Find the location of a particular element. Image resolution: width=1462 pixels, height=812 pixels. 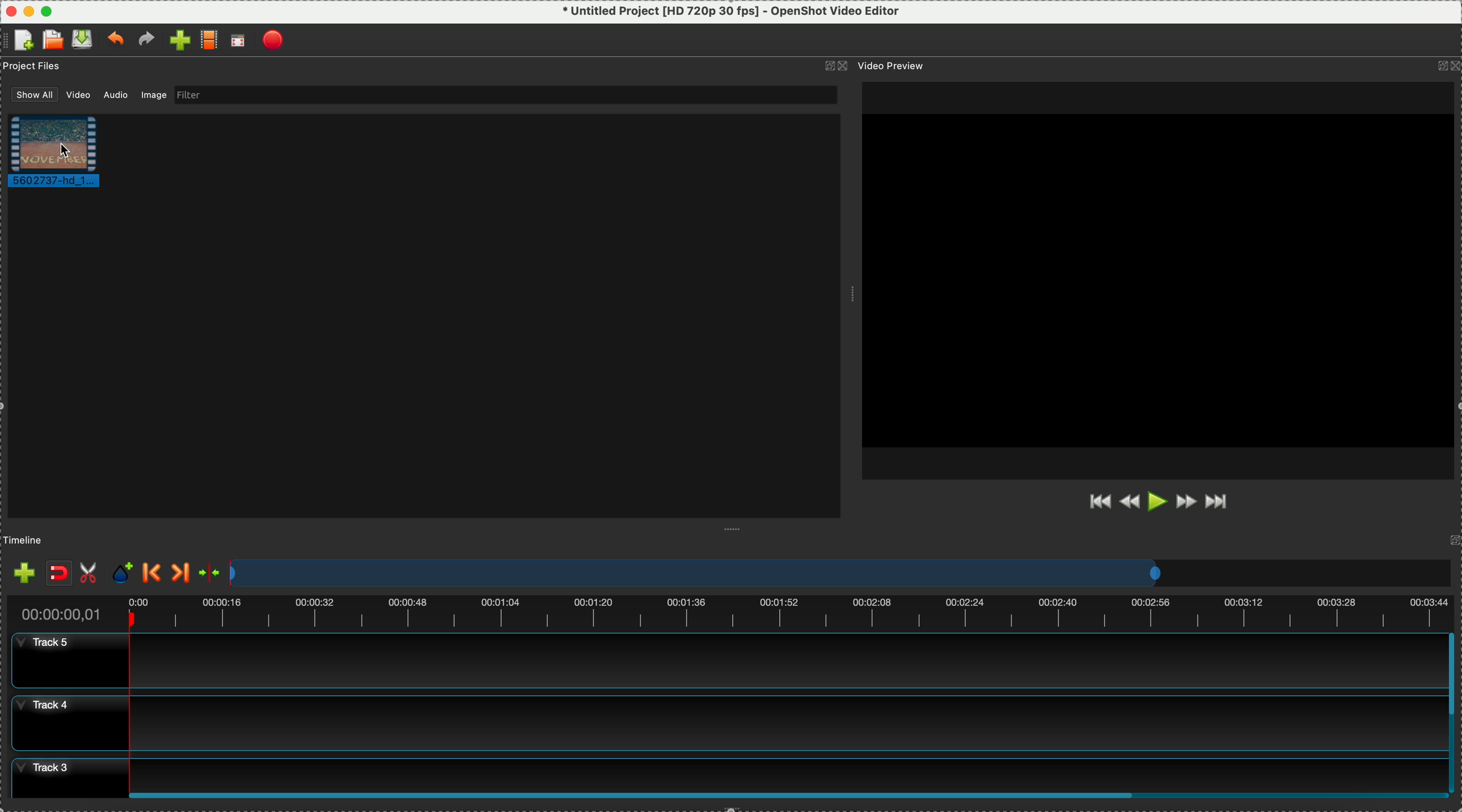

video preview is located at coordinates (1164, 280).